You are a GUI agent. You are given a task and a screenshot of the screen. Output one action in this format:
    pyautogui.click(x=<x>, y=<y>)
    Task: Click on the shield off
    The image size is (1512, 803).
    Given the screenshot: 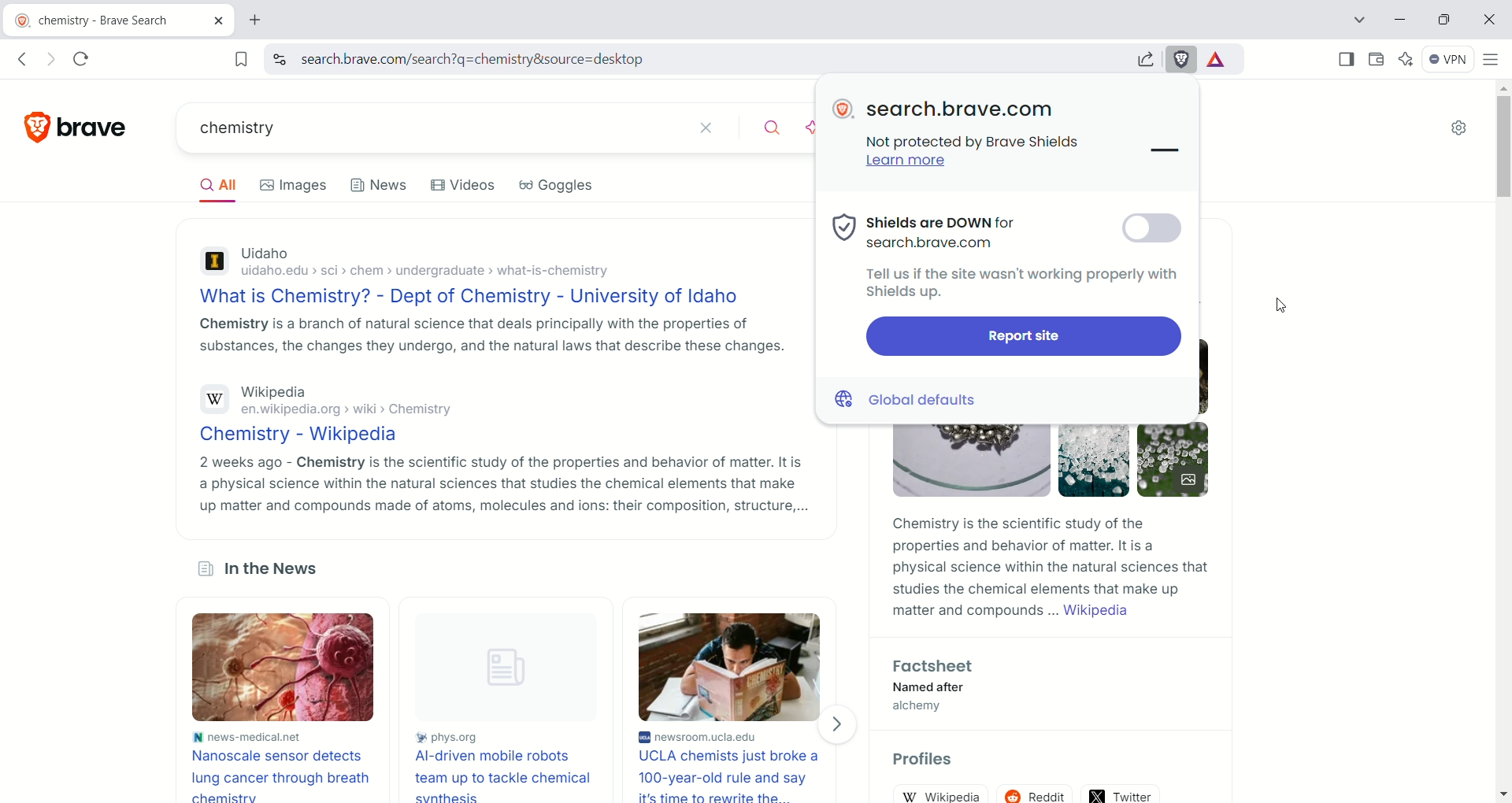 What is the action you would take?
    pyautogui.click(x=1152, y=231)
    